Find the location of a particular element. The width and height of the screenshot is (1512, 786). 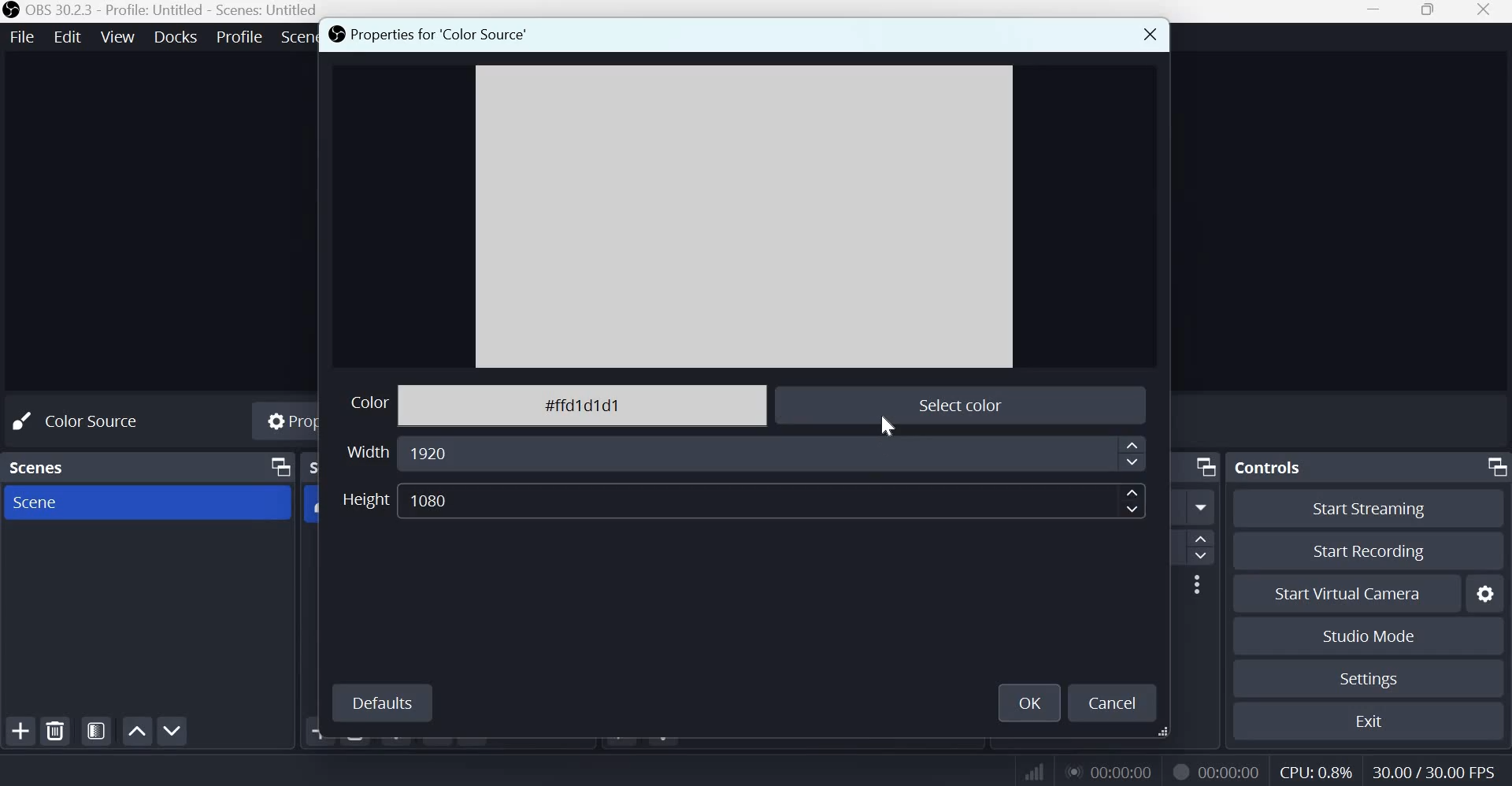

Live Duration Timer is located at coordinates (1111, 771).